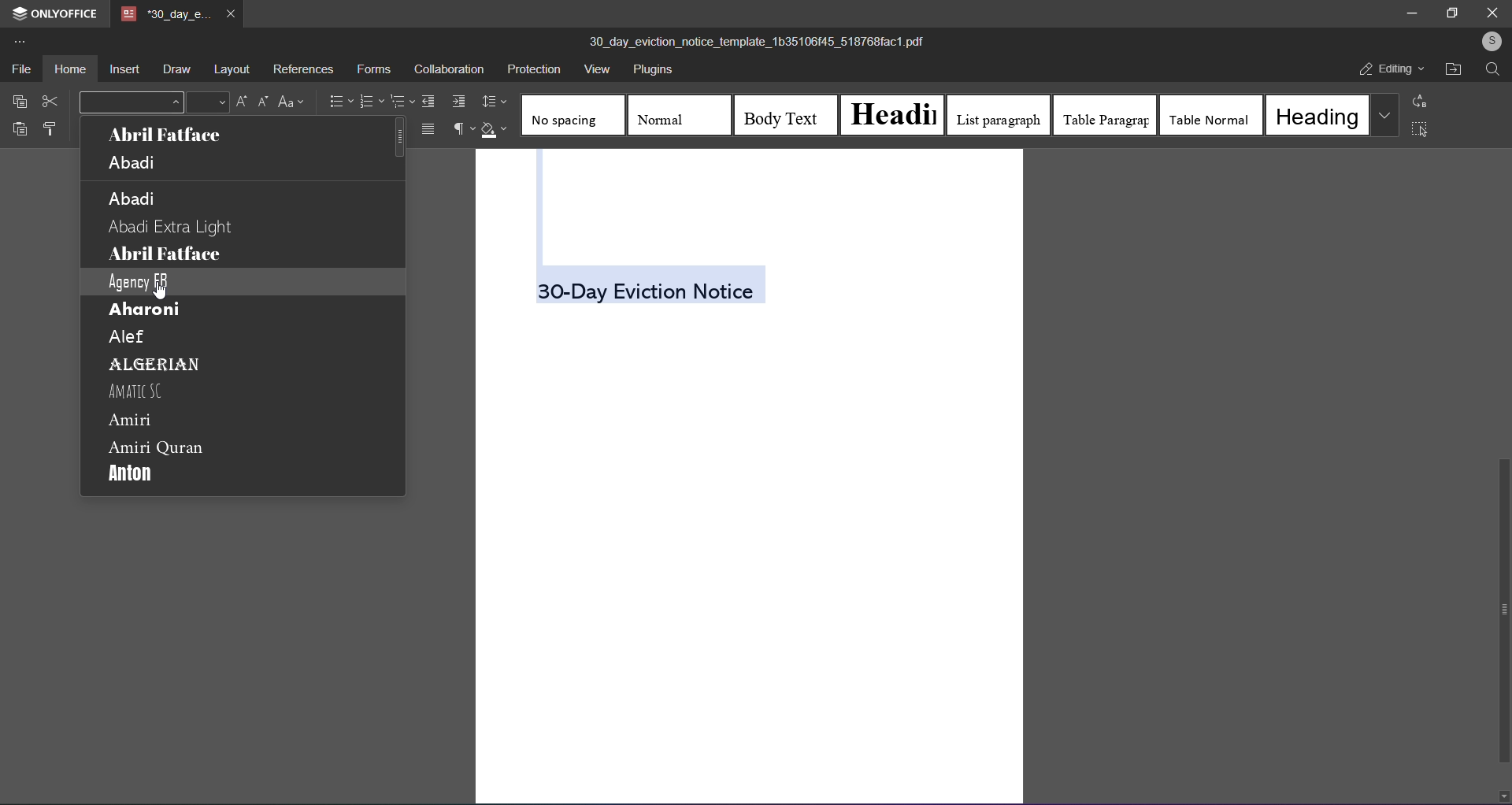 Image resolution: width=1512 pixels, height=805 pixels. What do you see at coordinates (124, 68) in the screenshot?
I see `insert` at bounding box center [124, 68].